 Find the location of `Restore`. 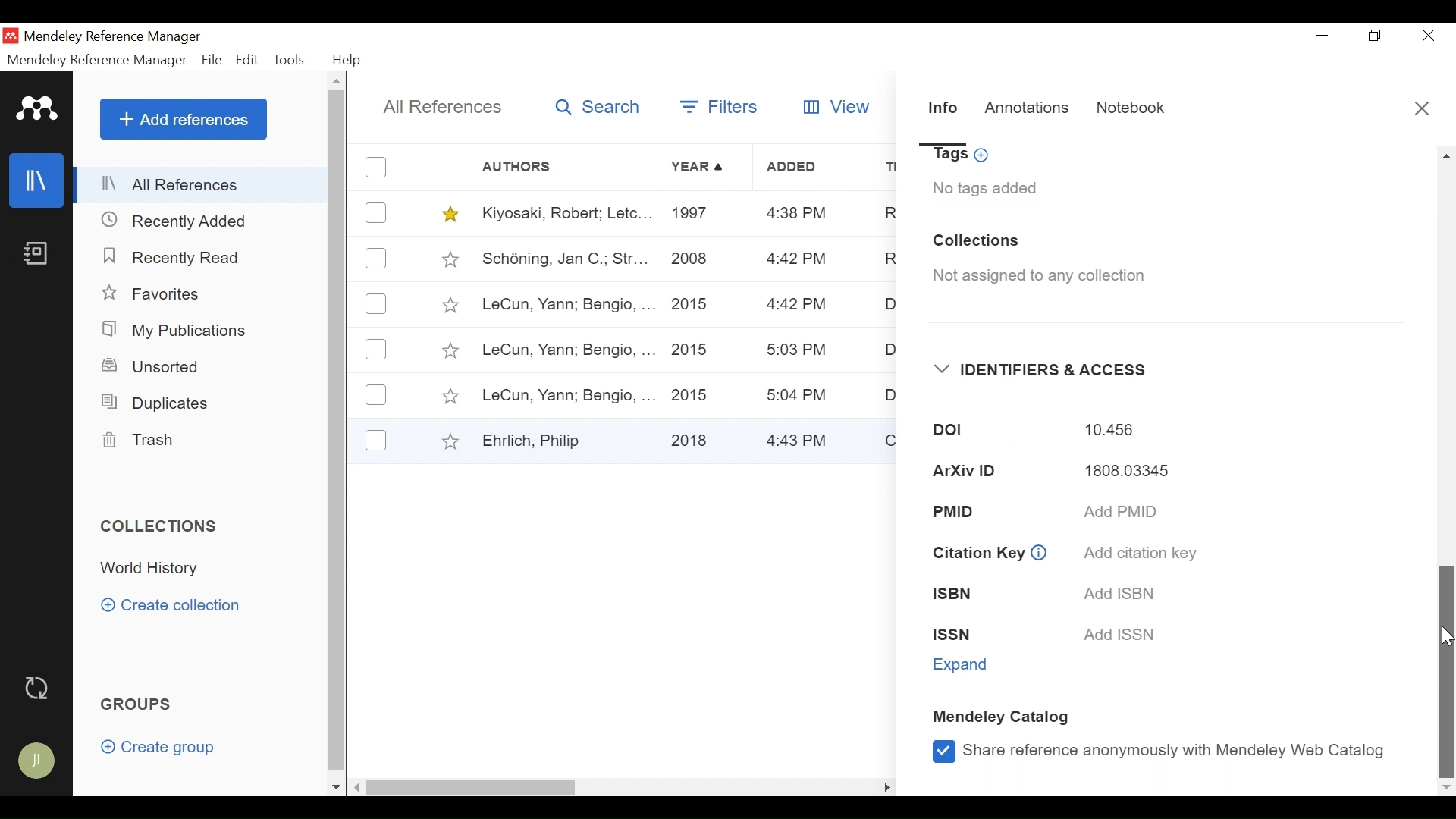

Restore is located at coordinates (1375, 36).